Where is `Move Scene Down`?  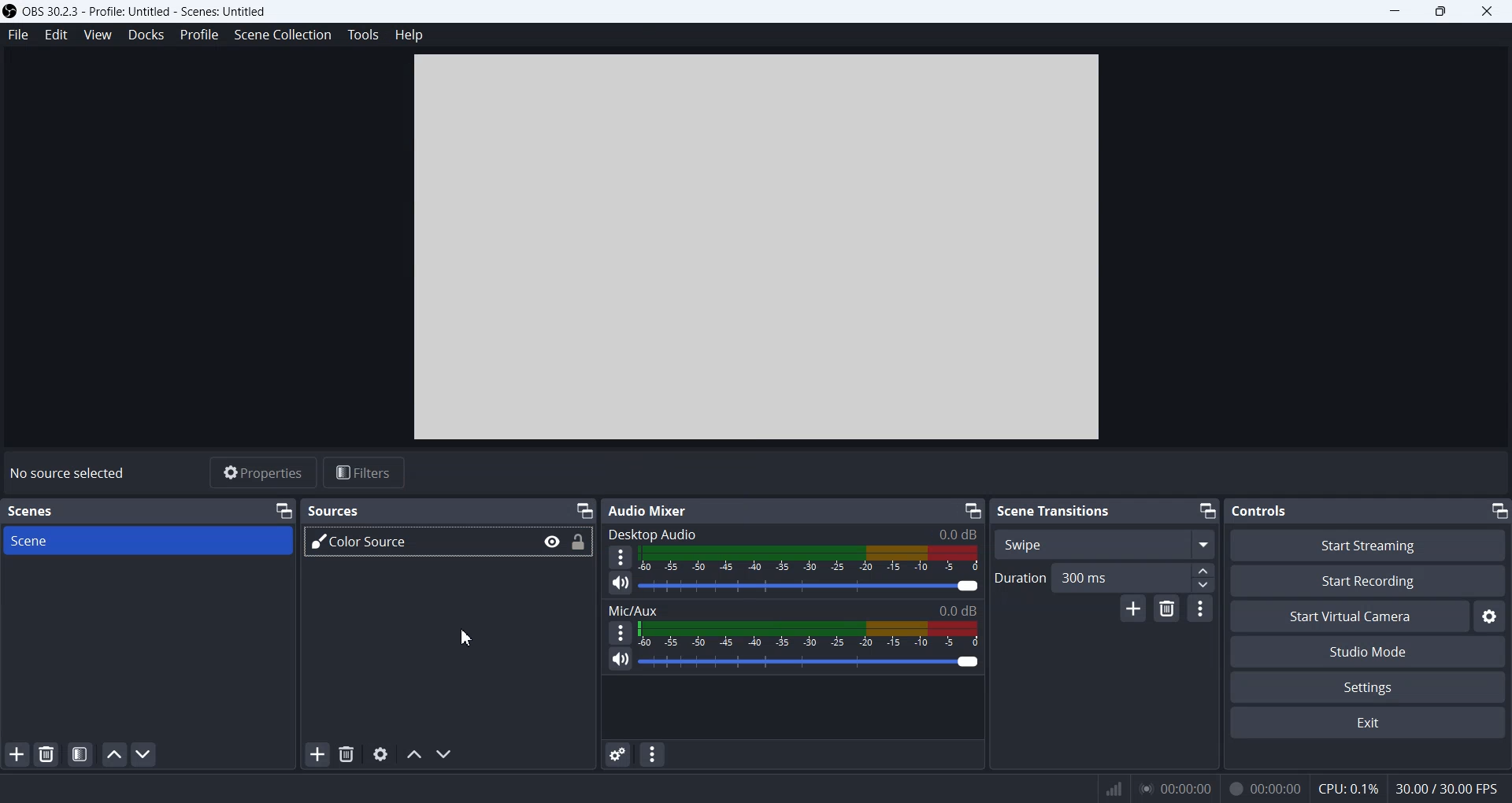
Move Scene Down is located at coordinates (146, 753).